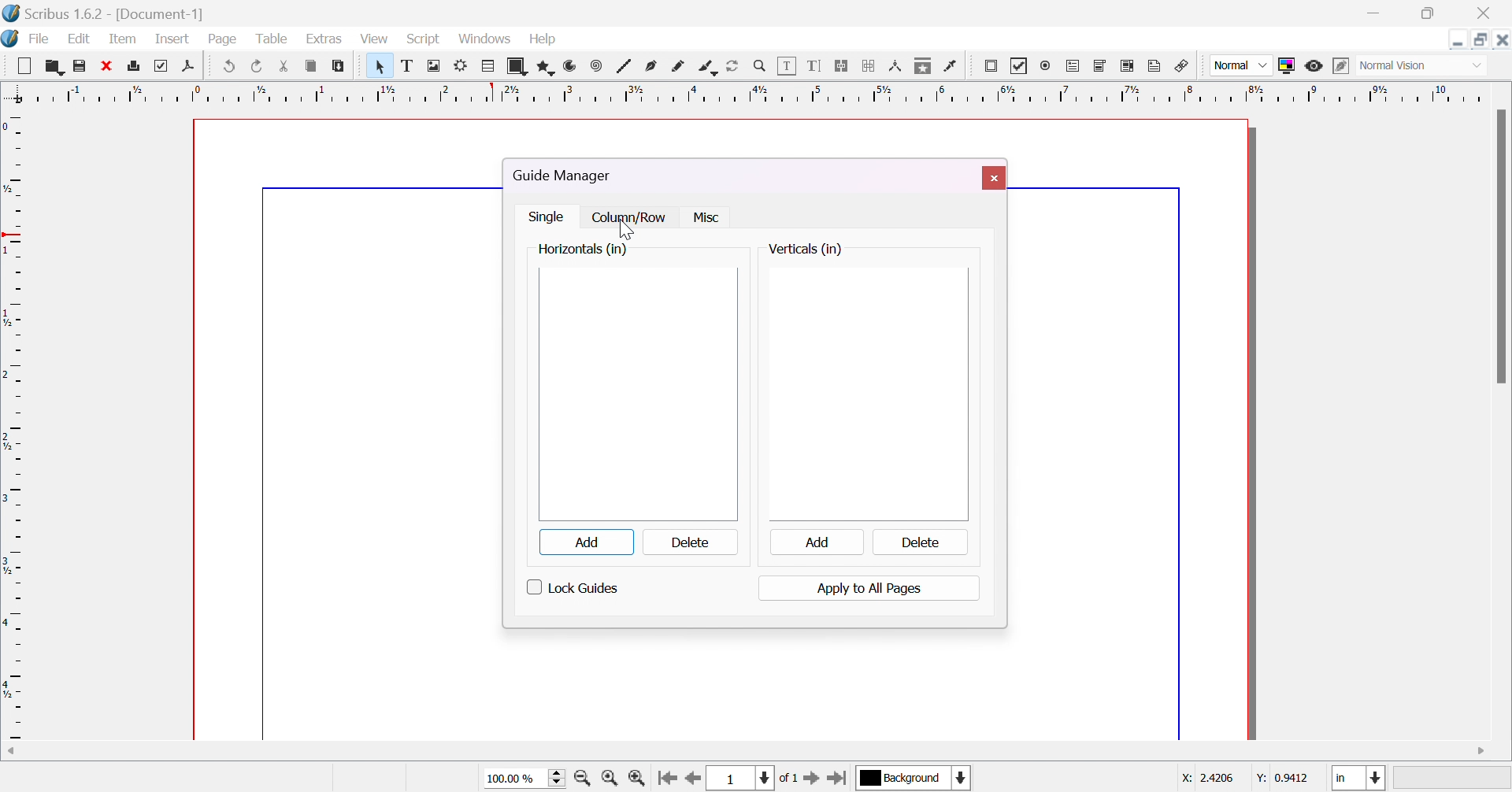  What do you see at coordinates (232, 64) in the screenshot?
I see `undo` at bounding box center [232, 64].